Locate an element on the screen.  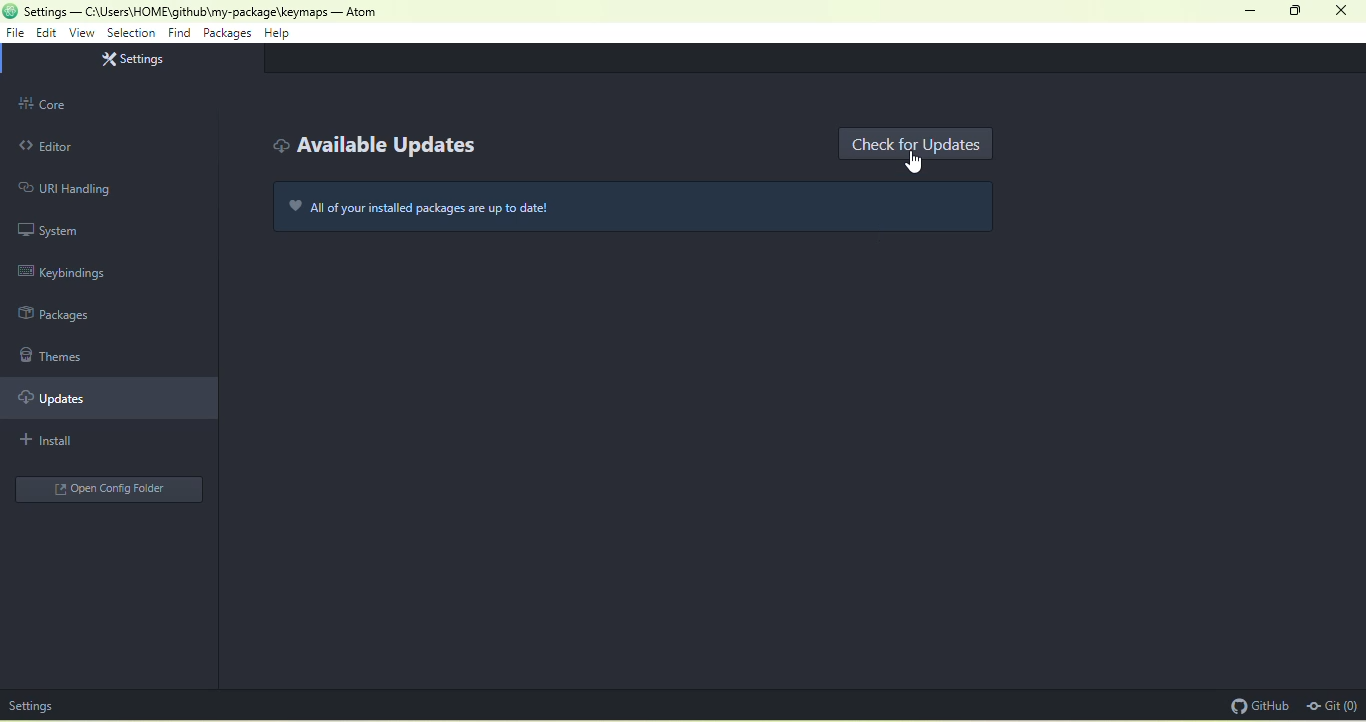
find is located at coordinates (181, 33).